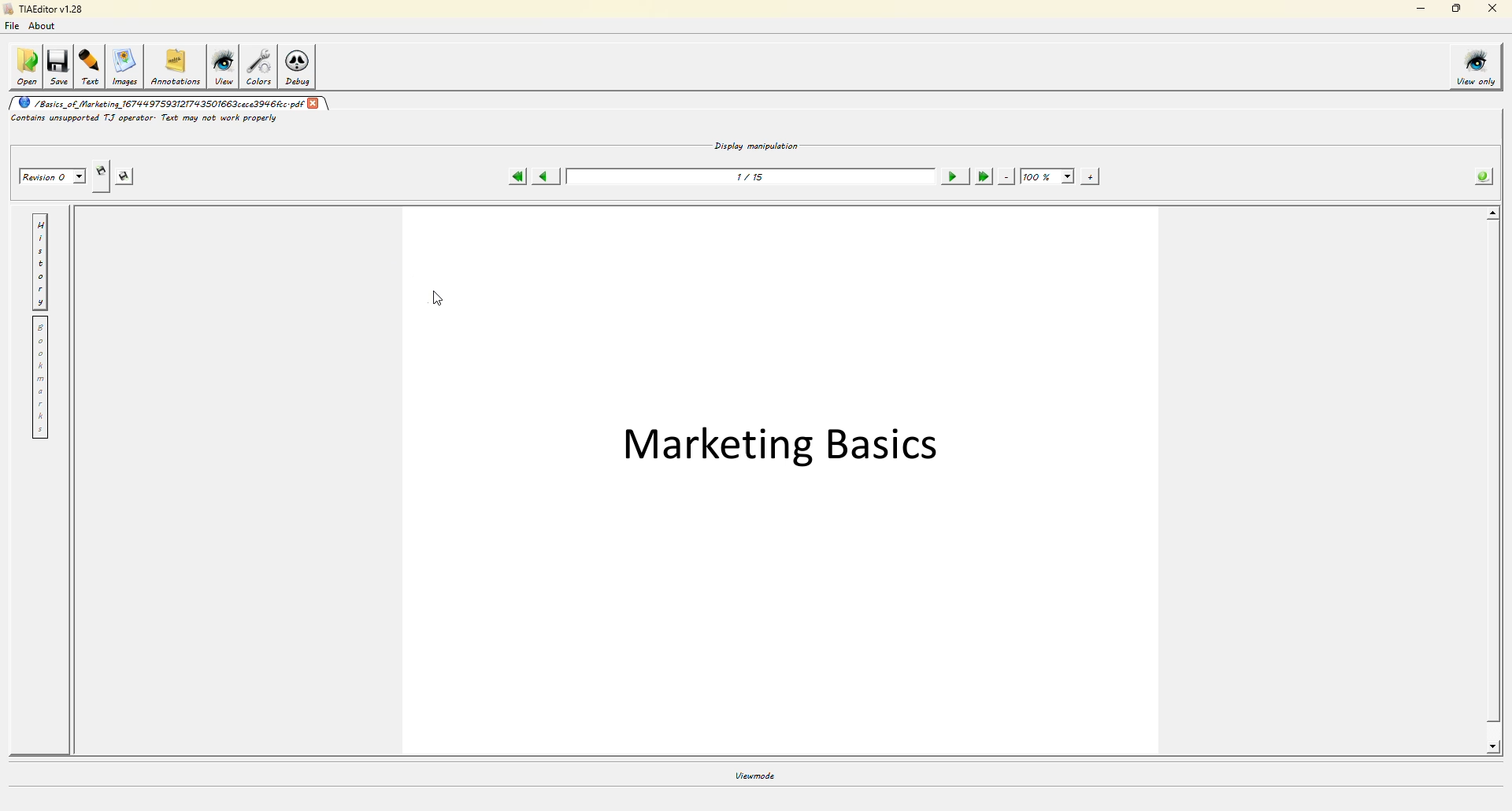 This screenshot has height=811, width=1512. Describe the element at coordinates (985, 176) in the screenshot. I see `last page` at that location.